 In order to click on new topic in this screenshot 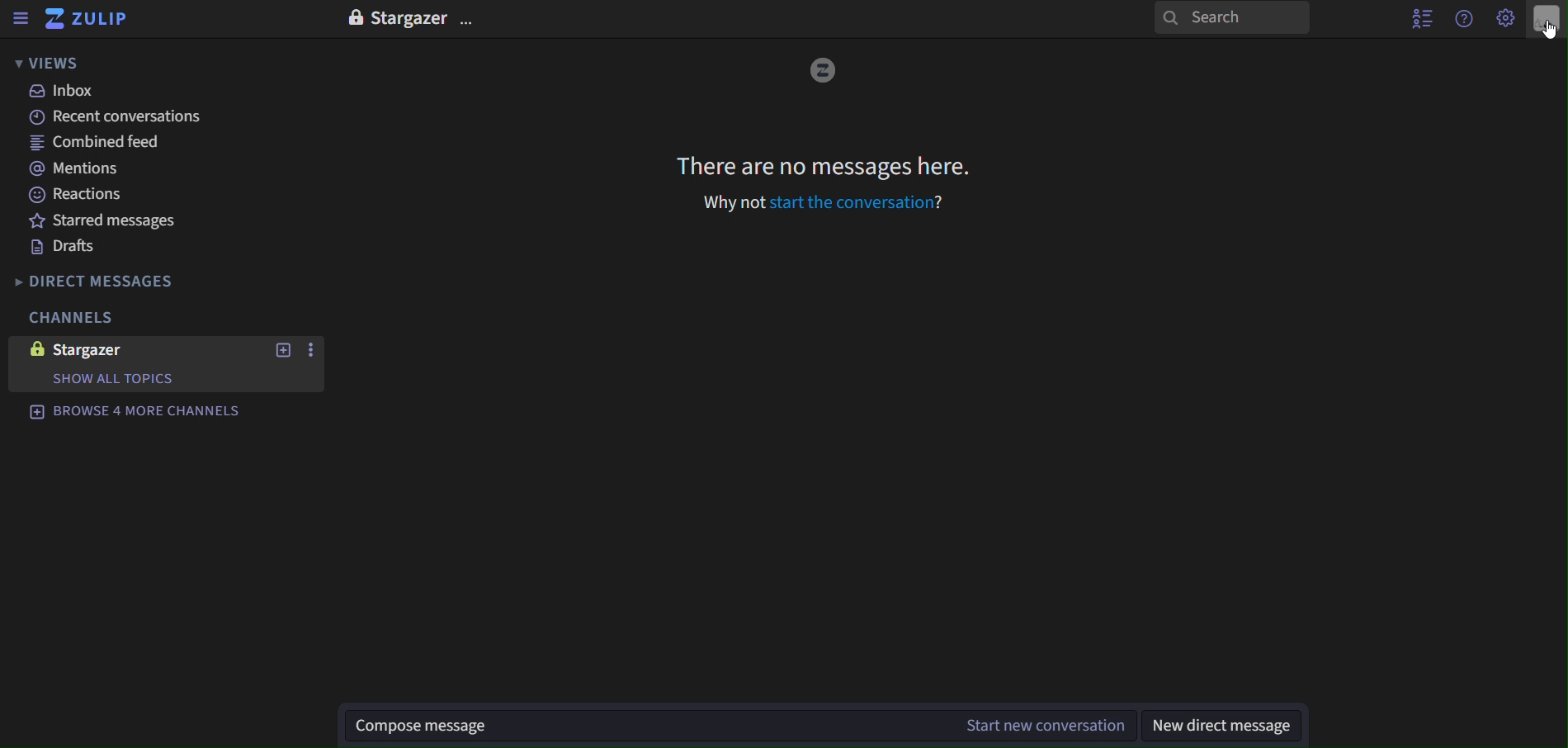, I will do `click(283, 353)`.